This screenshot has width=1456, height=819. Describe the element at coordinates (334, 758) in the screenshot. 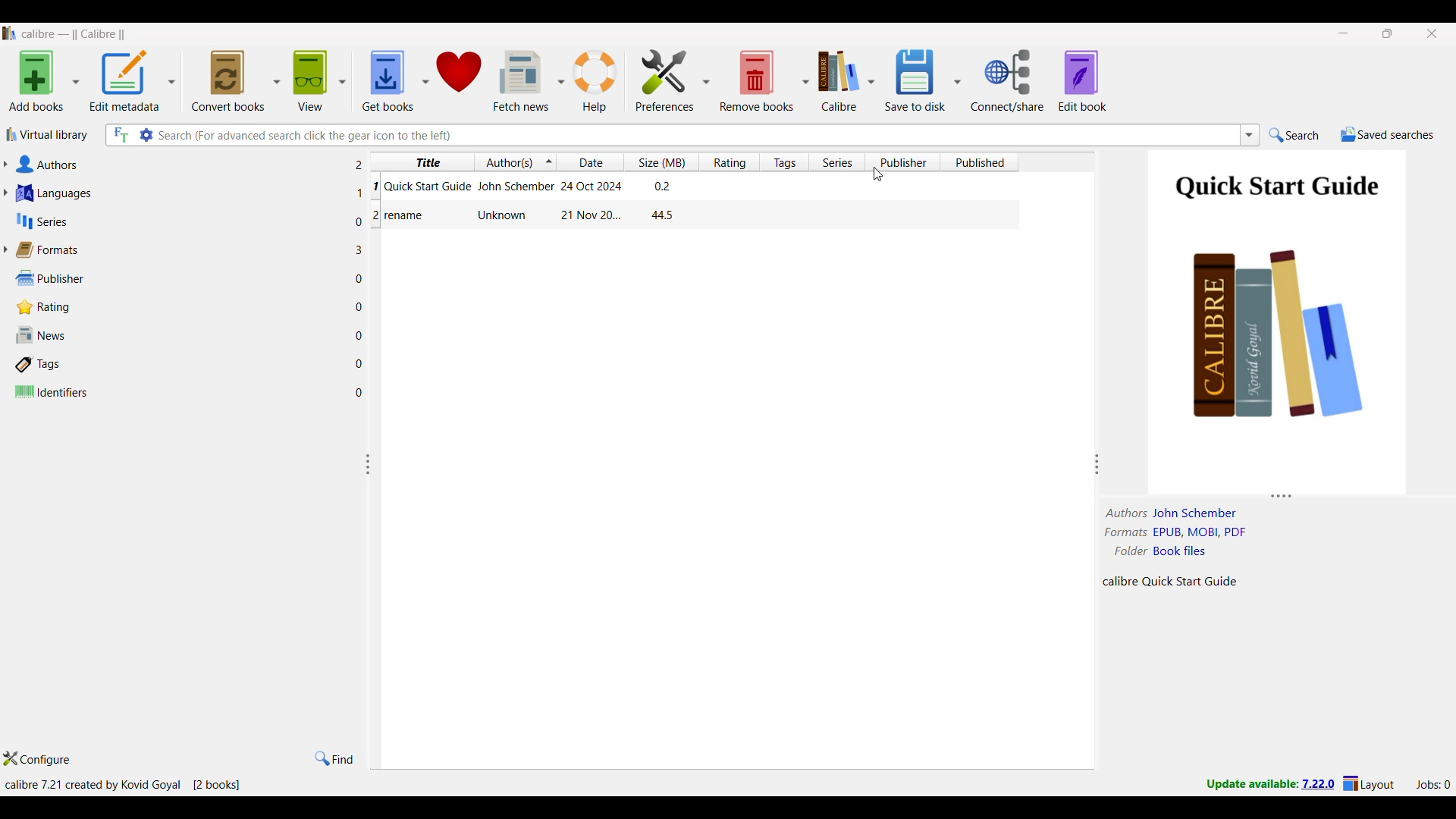

I see `Find` at that location.